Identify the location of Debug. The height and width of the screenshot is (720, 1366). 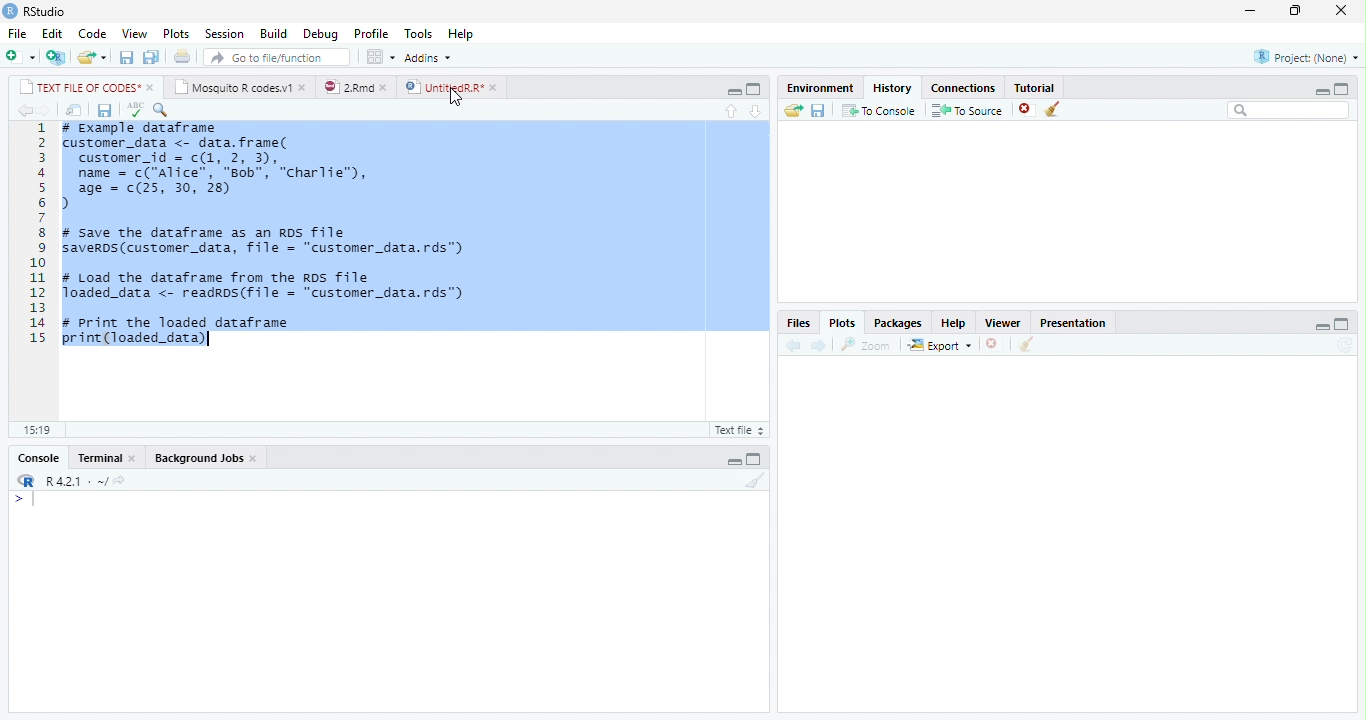
(321, 34).